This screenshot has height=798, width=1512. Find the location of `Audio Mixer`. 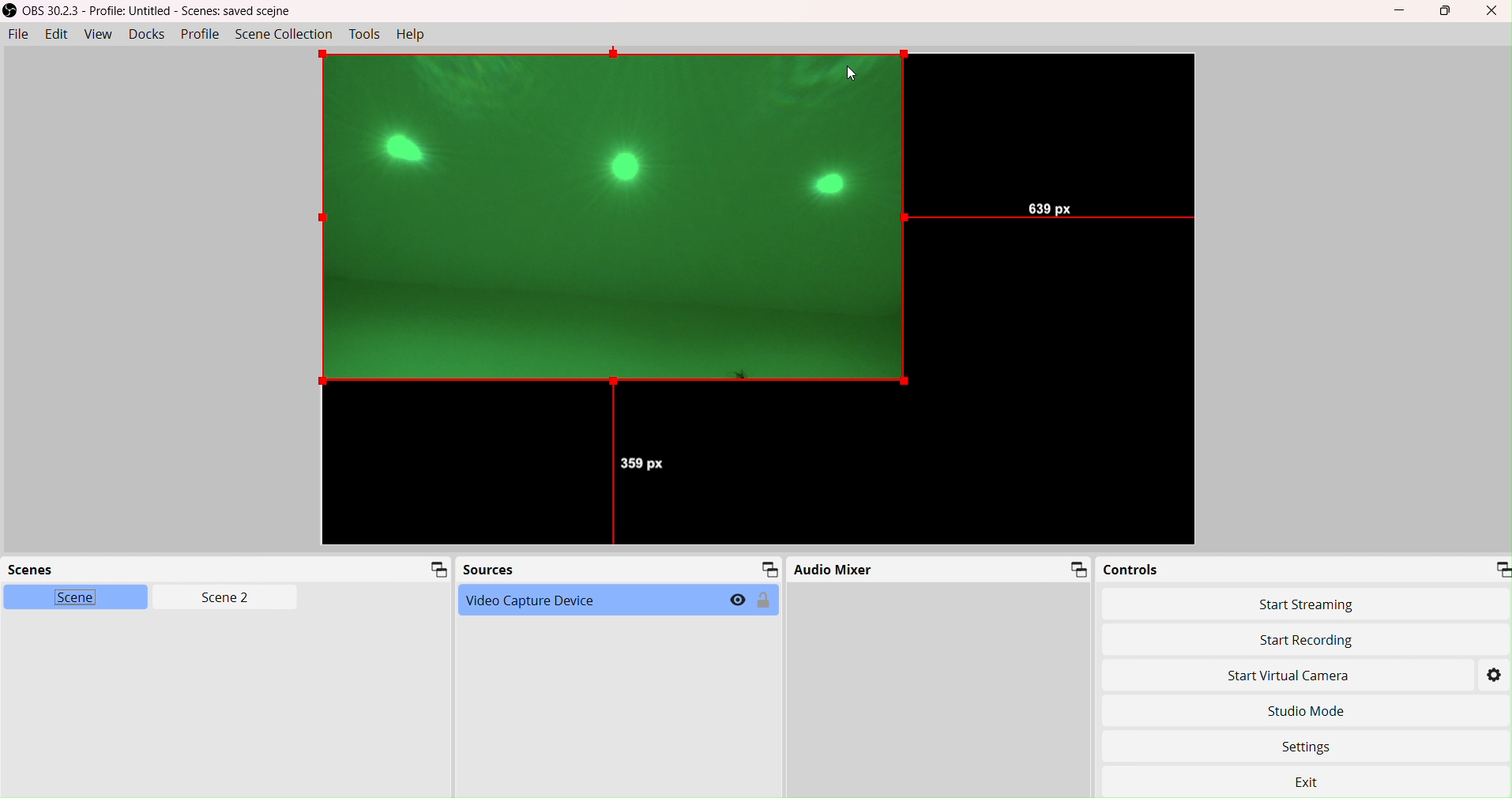

Audio Mixer is located at coordinates (940, 570).